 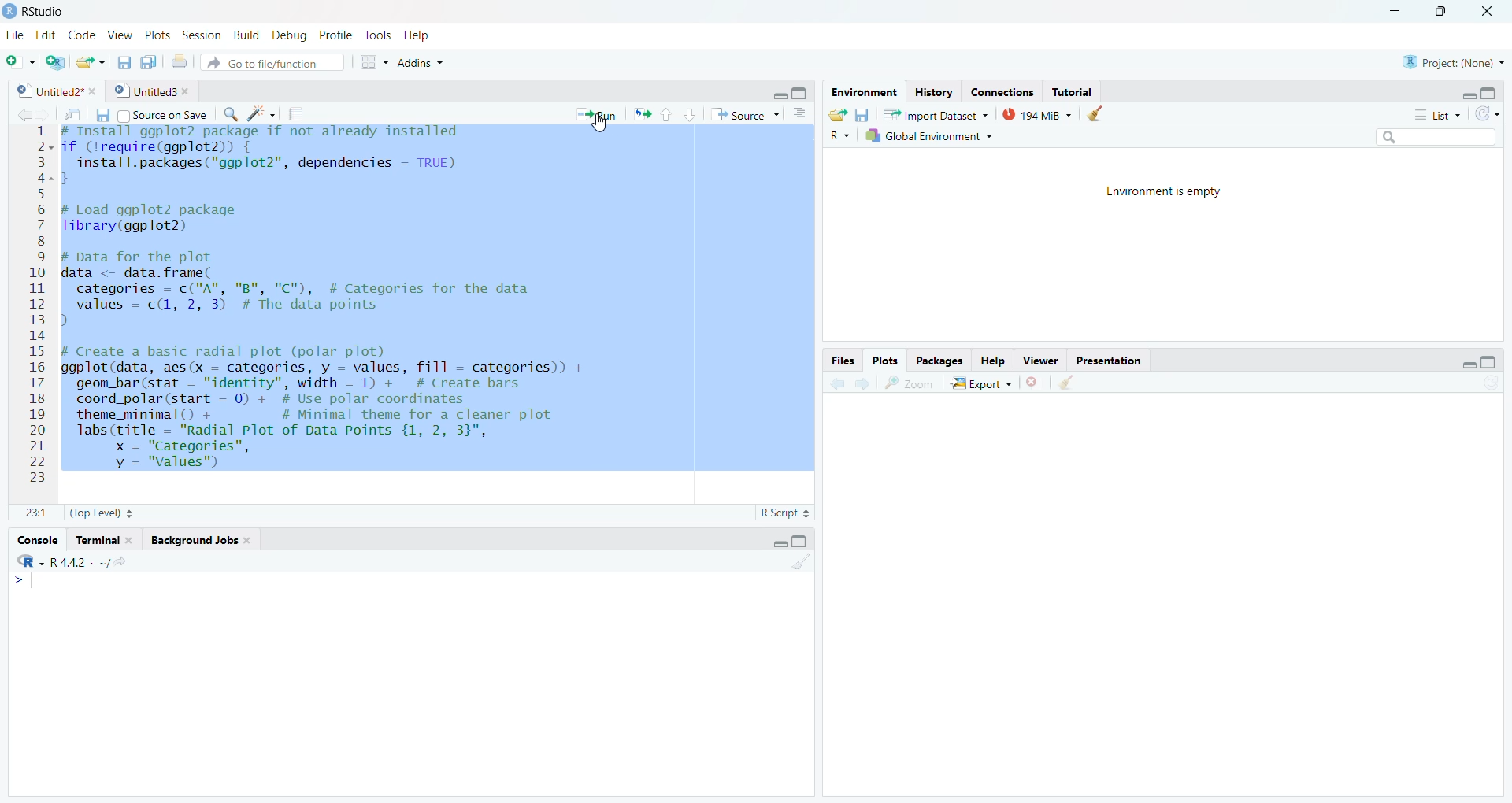 What do you see at coordinates (300, 114) in the screenshot?
I see `compile report ` at bounding box center [300, 114].